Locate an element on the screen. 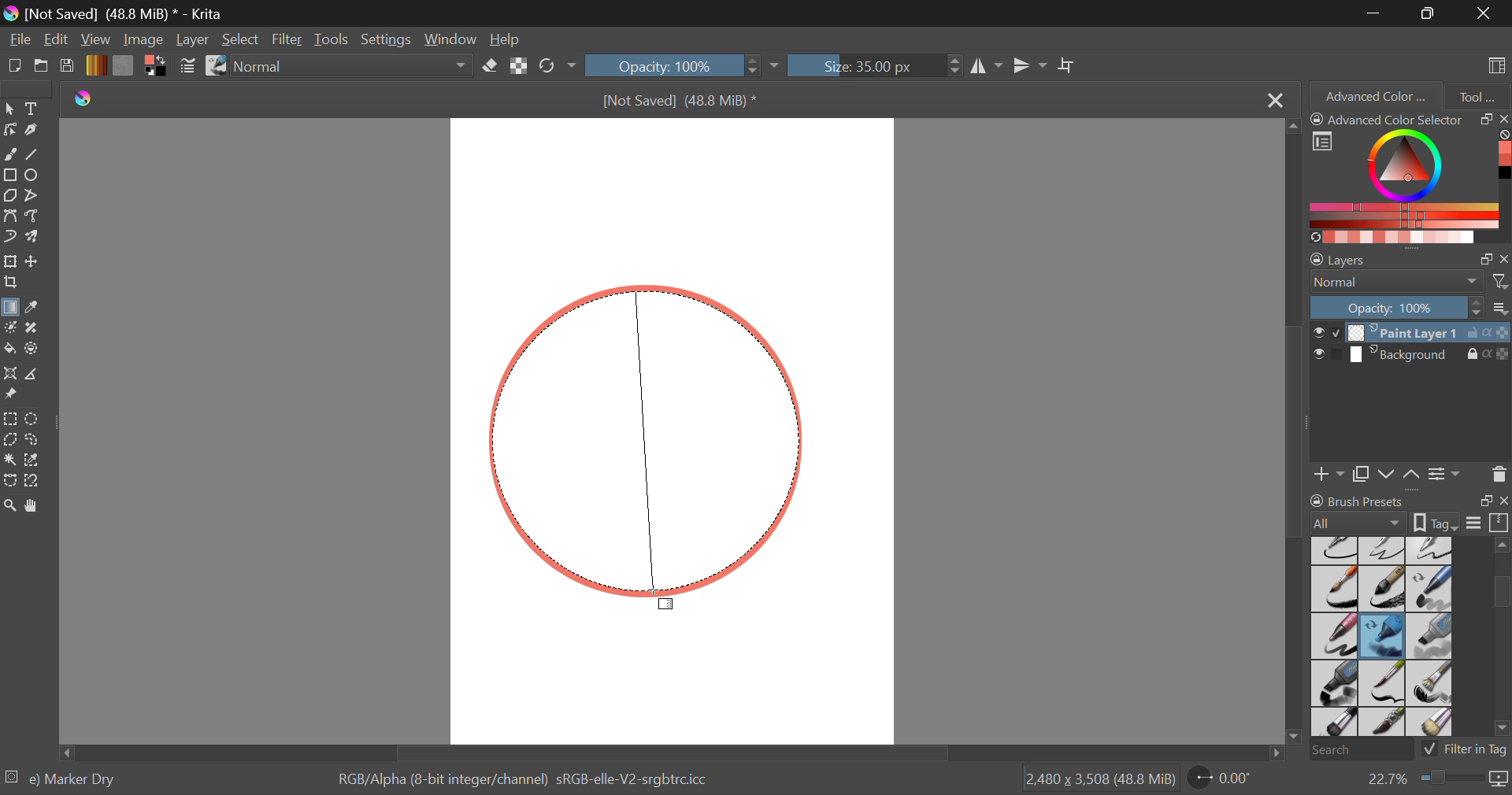 Image resolution: width=1512 pixels, height=795 pixels. Brush Presets Docket Tab is located at coordinates (1409, 509).